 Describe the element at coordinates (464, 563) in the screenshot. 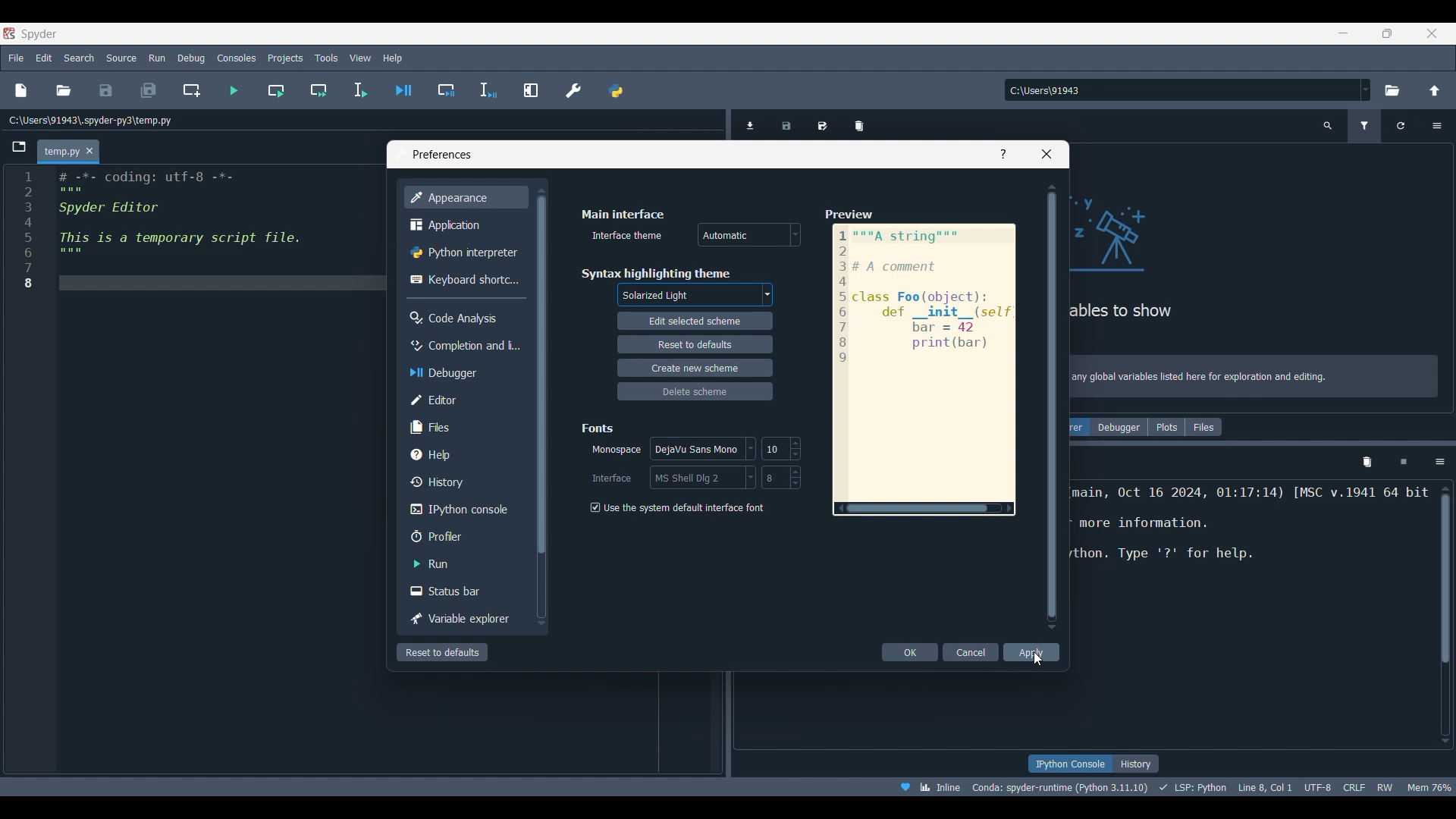

I see `Run` at that location.